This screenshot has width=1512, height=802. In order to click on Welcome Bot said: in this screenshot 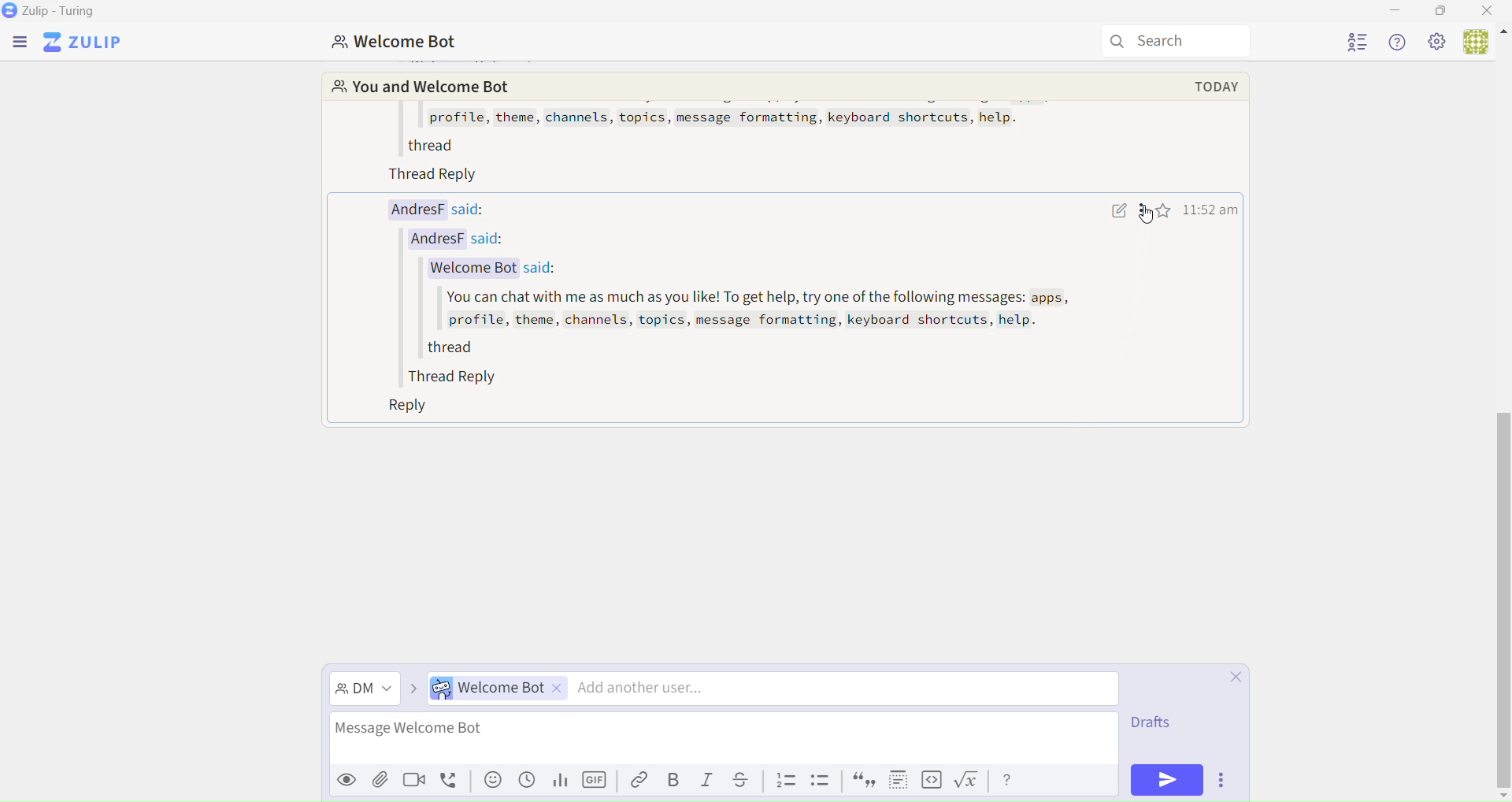, I will do `click(489, 269)`.